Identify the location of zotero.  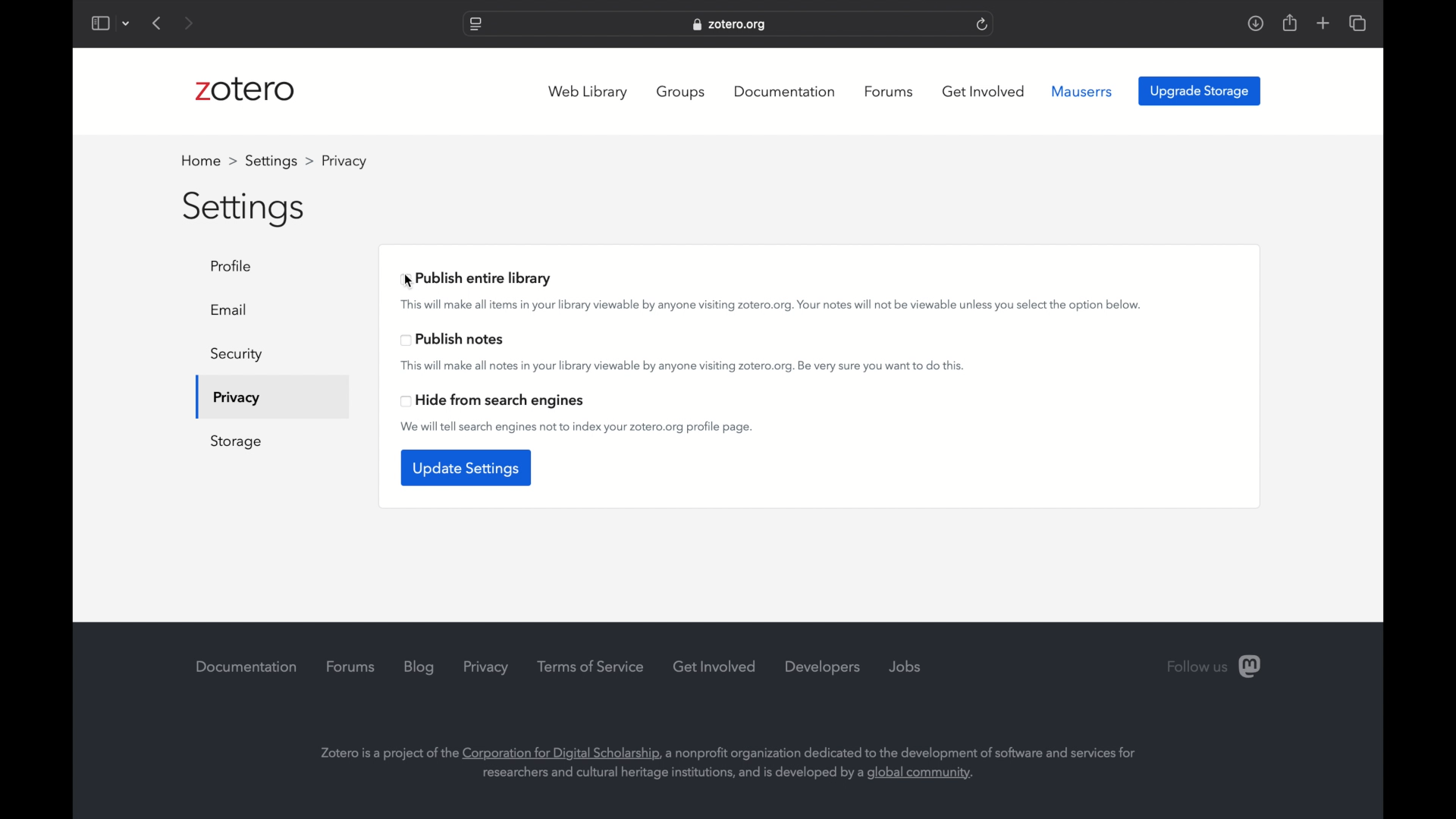
(245, 89).